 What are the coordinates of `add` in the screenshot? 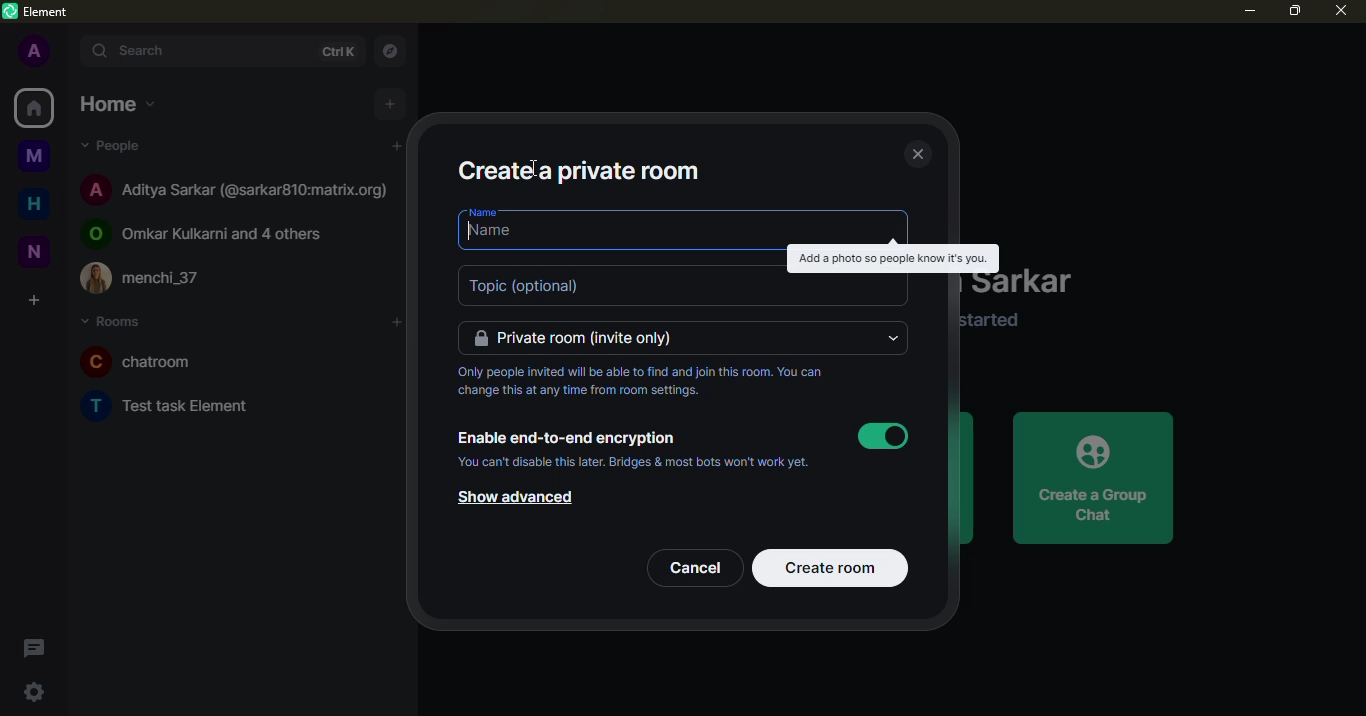 It's located at (392, 105).